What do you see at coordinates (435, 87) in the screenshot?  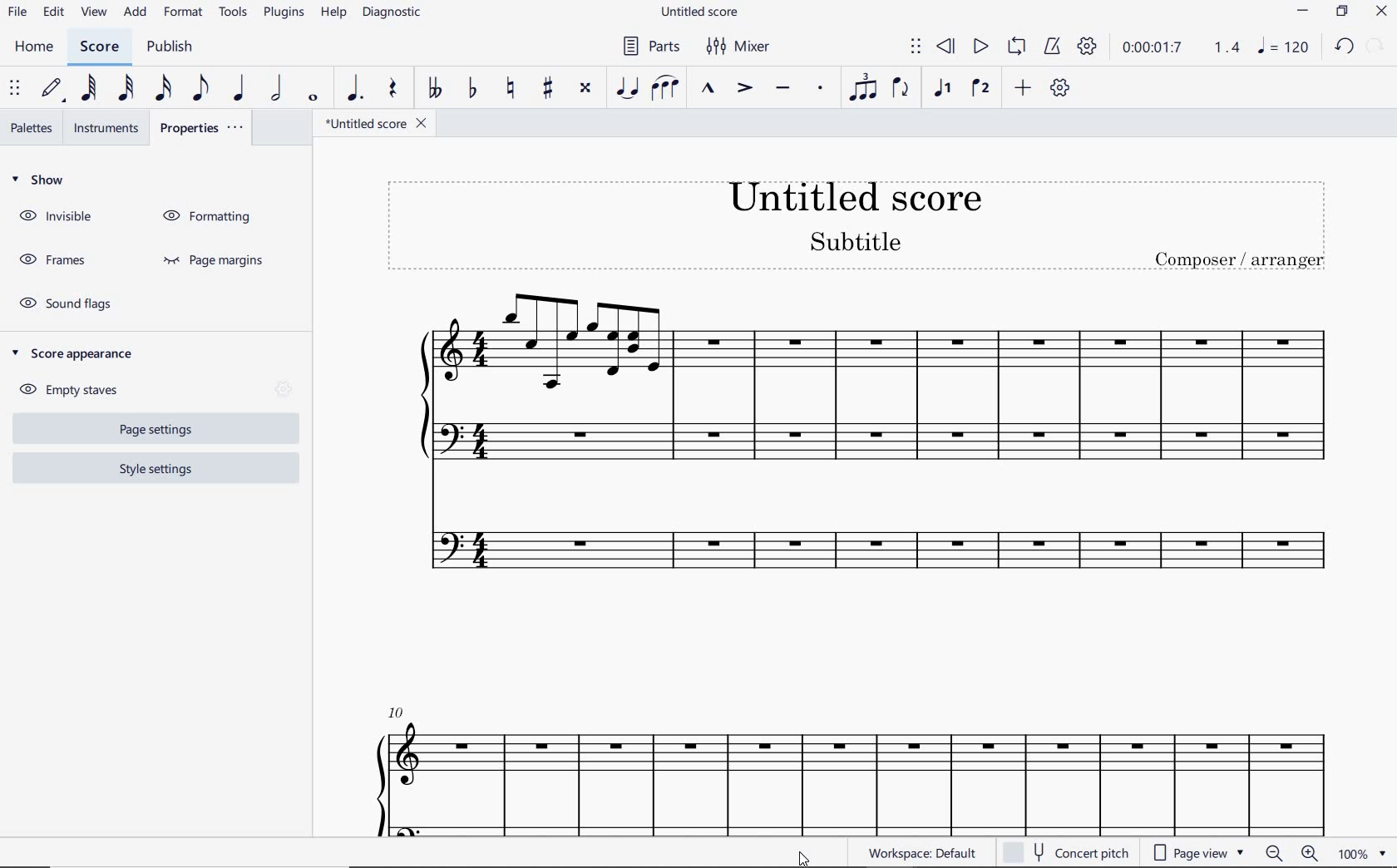 I see `TOGGLE DOUBLE-FLAT` at bounding box center [435, 87].